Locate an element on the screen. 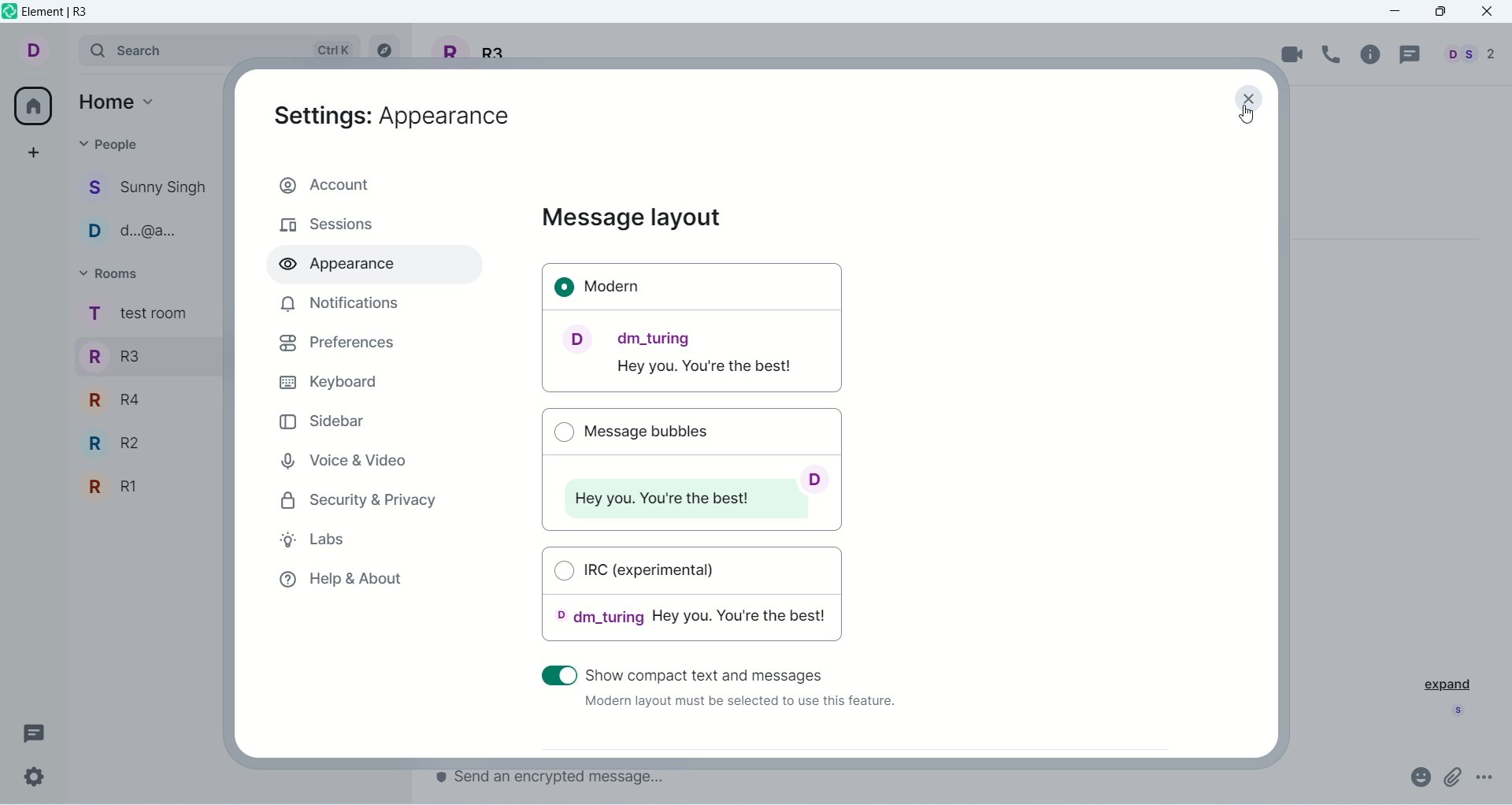 This screenshot has height=805, width=1512. R3 is located at coordinates (144, 354).